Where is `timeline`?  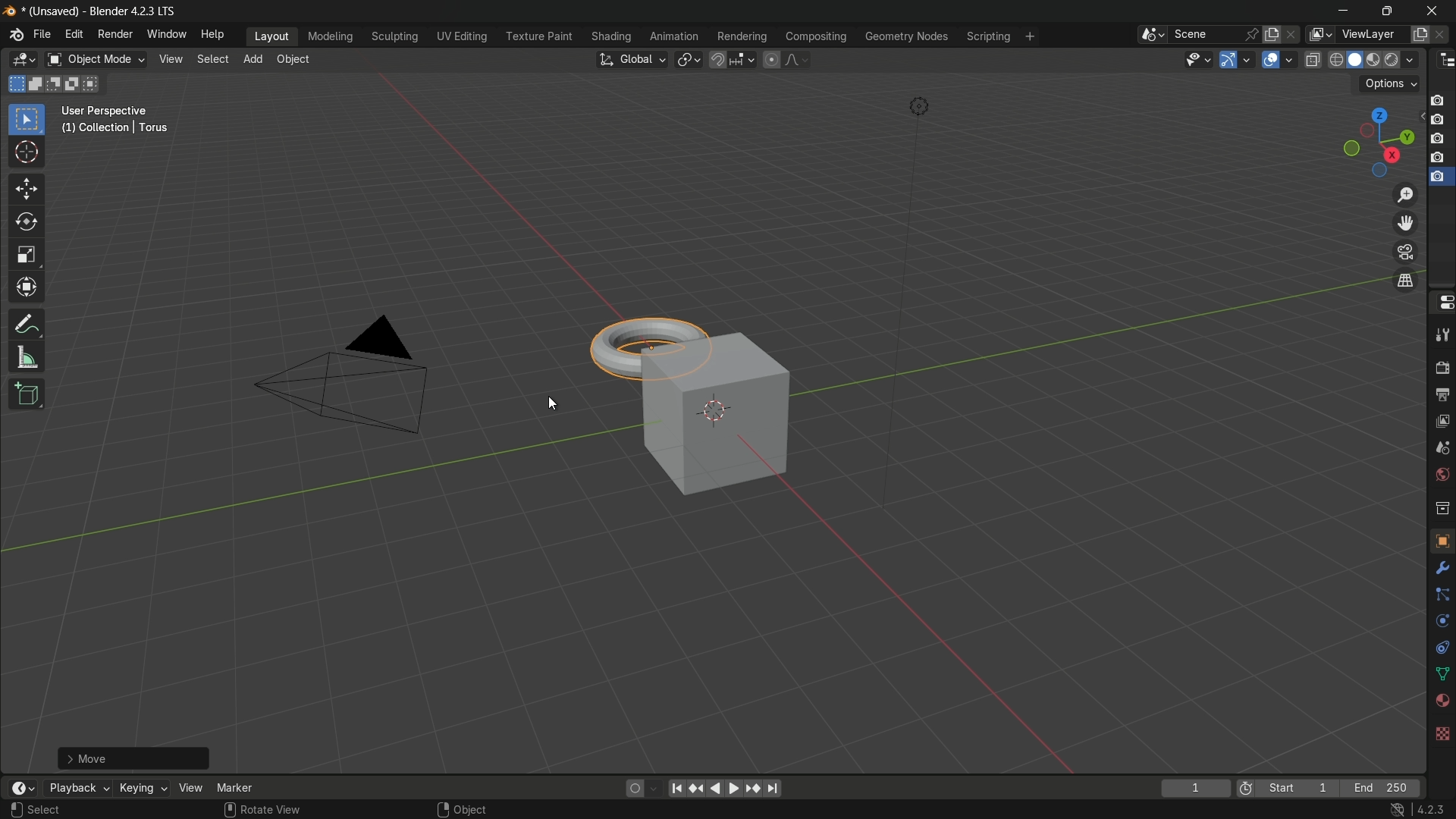
timeline is located at coordinates (23, 788).